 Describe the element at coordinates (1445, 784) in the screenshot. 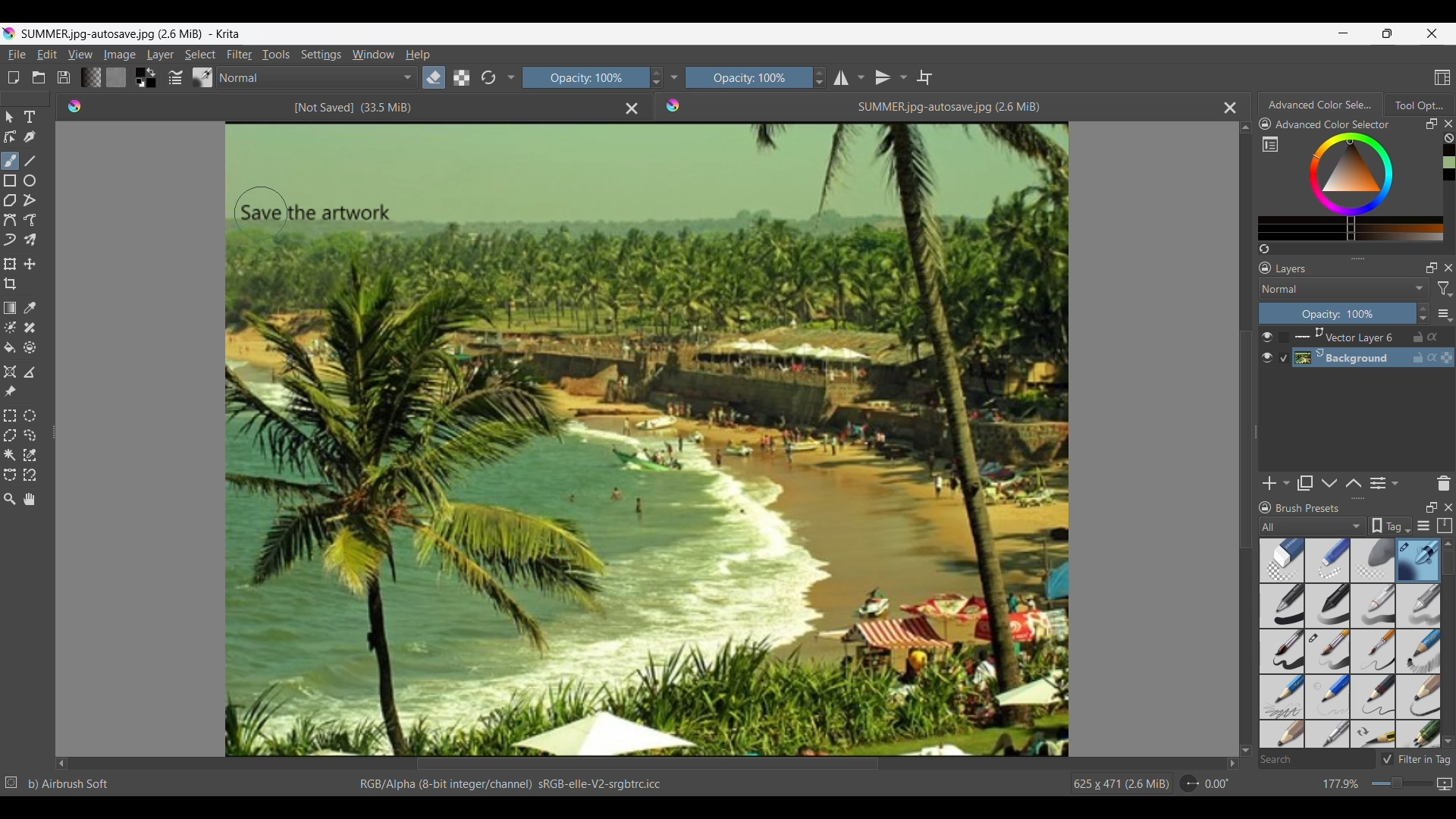

I see `Map displayed can vas size between pixel and print size` at that location.